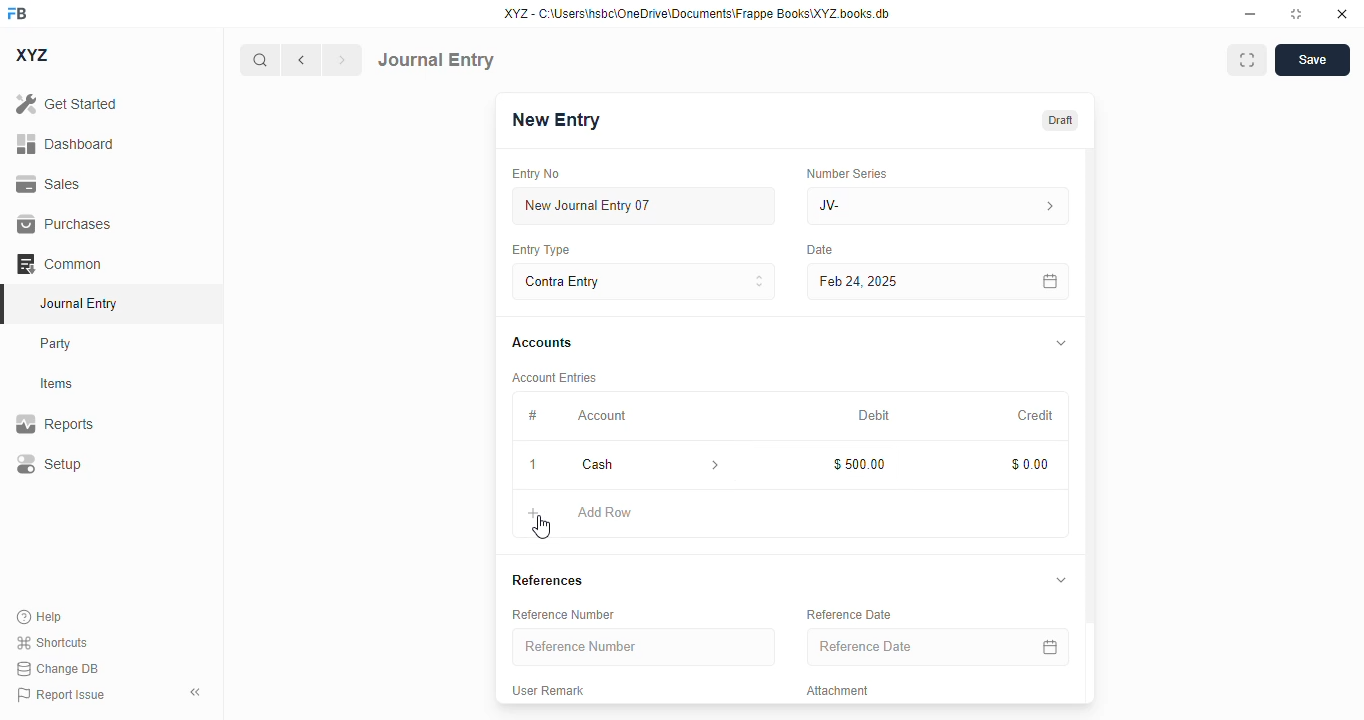  What do you see at coordinates (343, 60) in the screenshot?
I see `next` at bounding box center [343, 60].